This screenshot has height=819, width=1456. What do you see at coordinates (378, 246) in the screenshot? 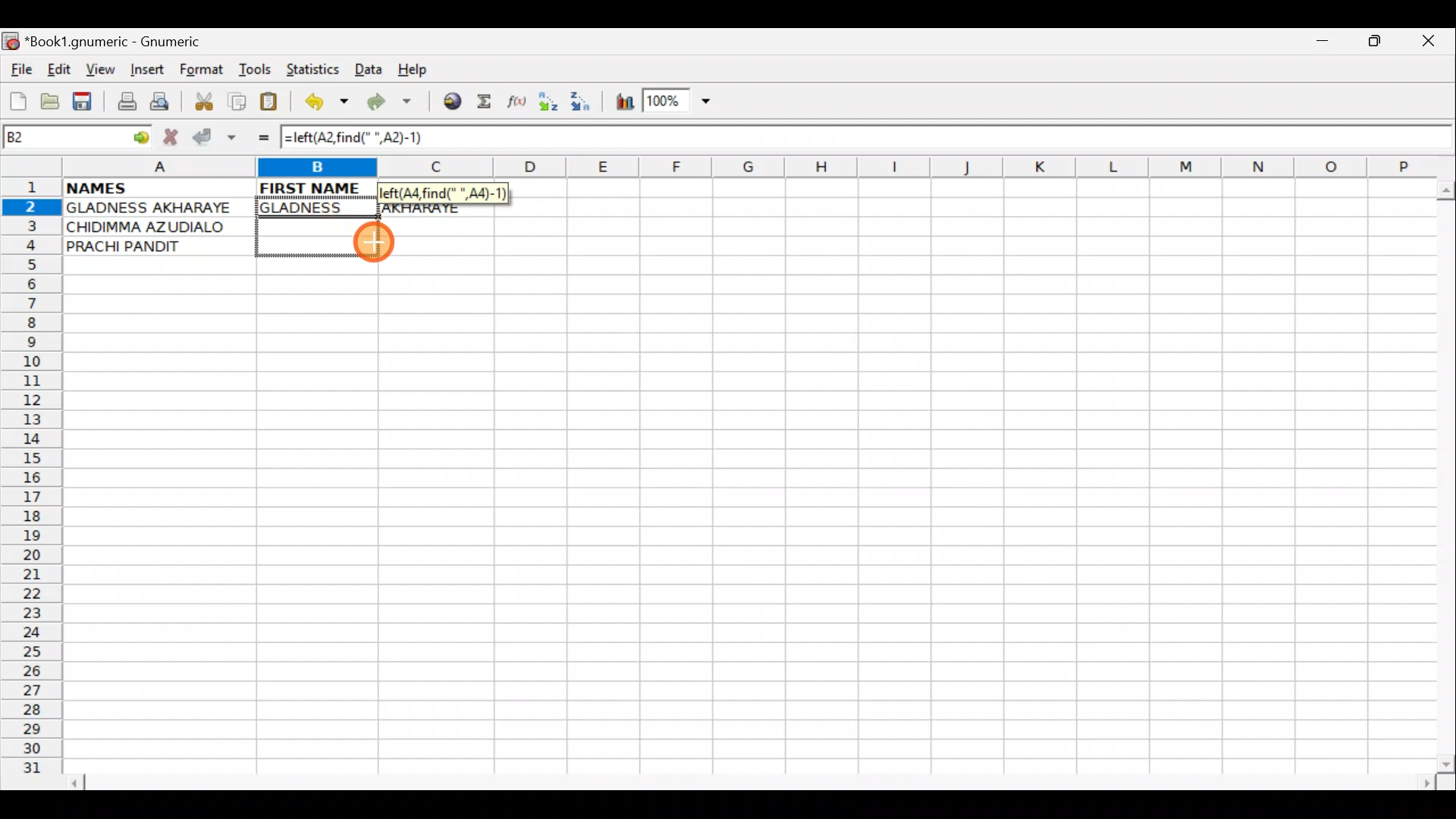
I see `Cursor on cell B4` at bounding box center [378, 246].